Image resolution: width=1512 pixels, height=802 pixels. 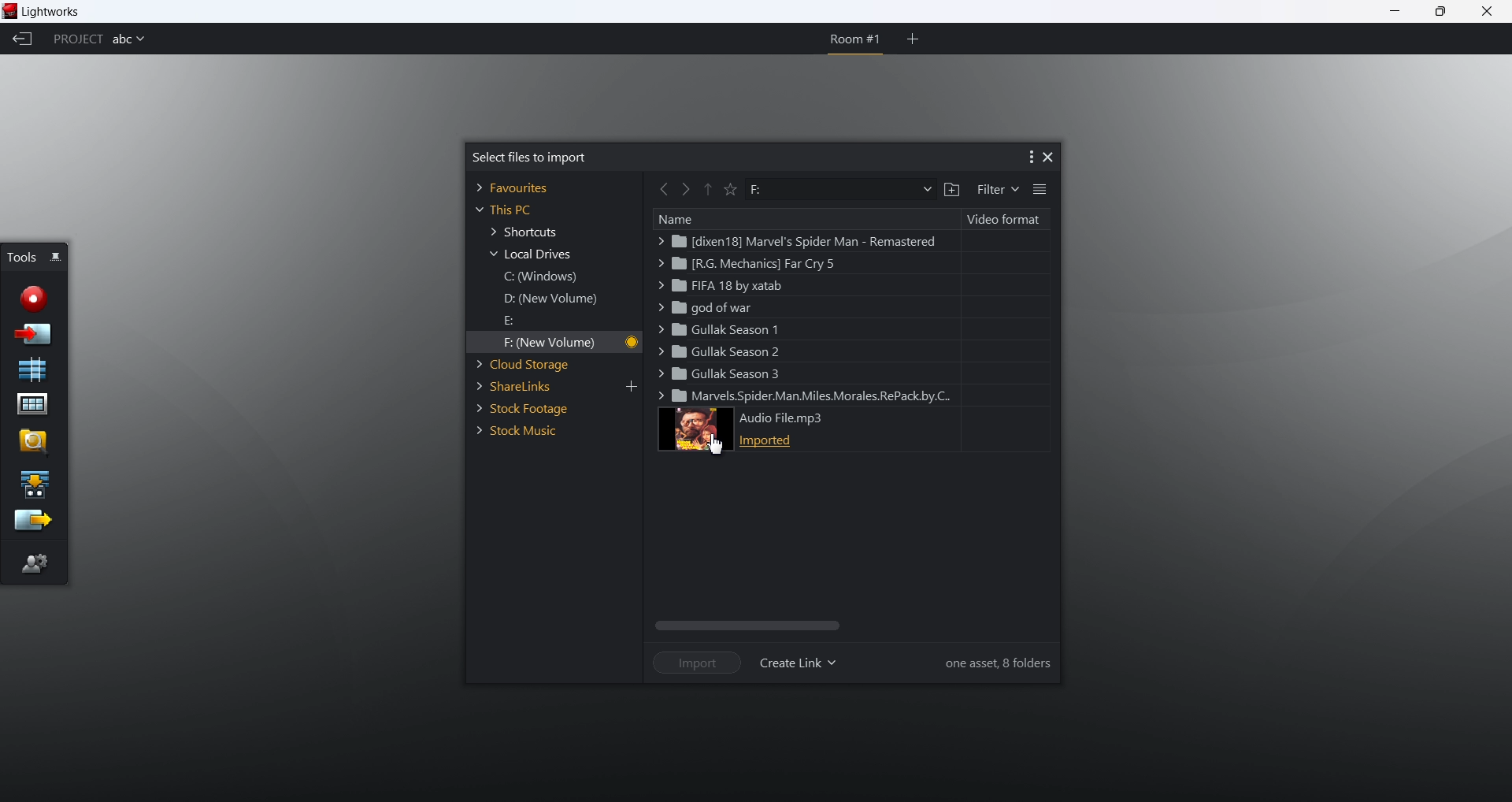 What do you see at coordinates (532, 254) in the screenshot?
I see `local drives` at bounding box center [532, 254].